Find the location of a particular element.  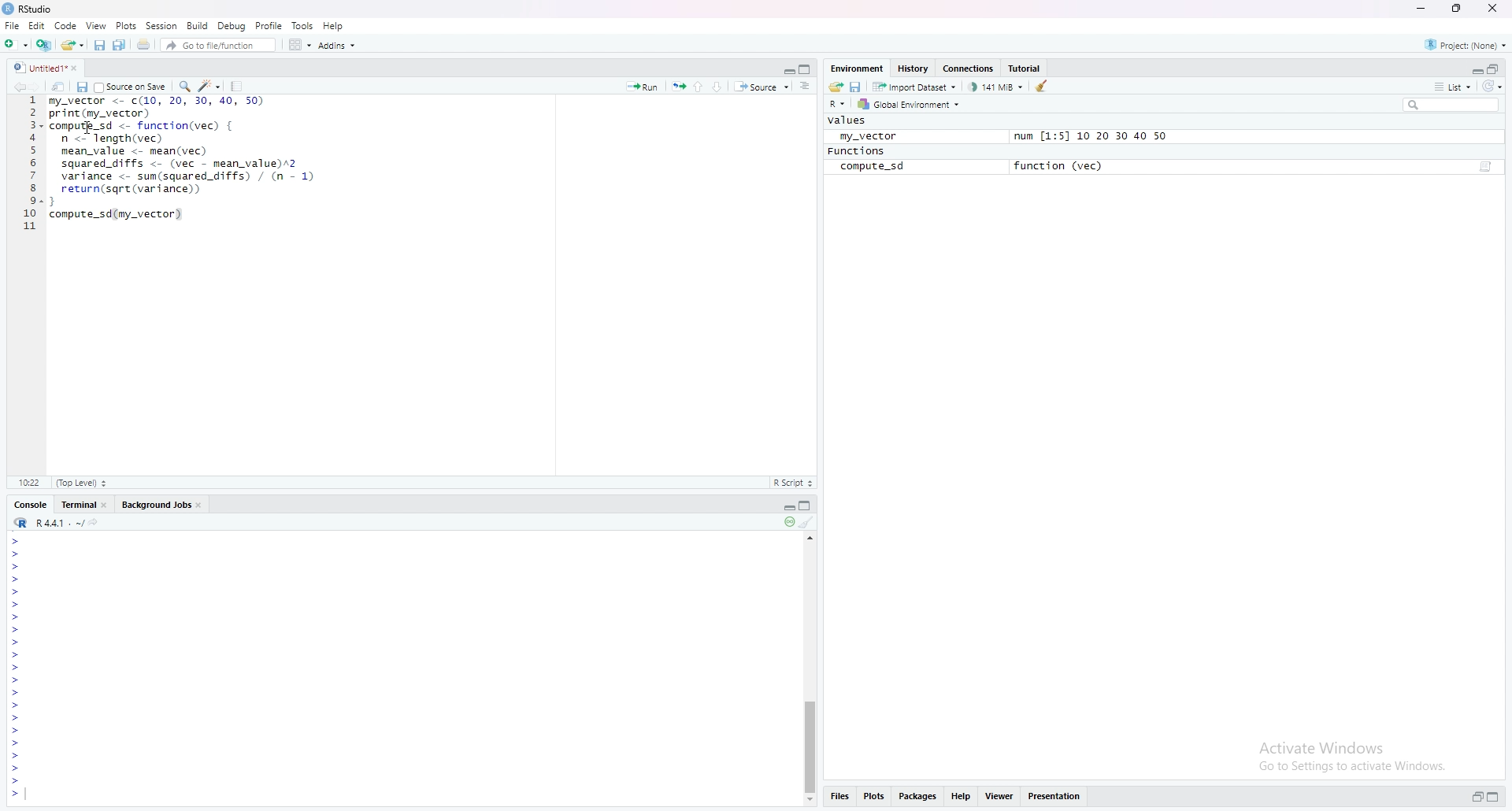

Session is located at coordinates (161, 26).